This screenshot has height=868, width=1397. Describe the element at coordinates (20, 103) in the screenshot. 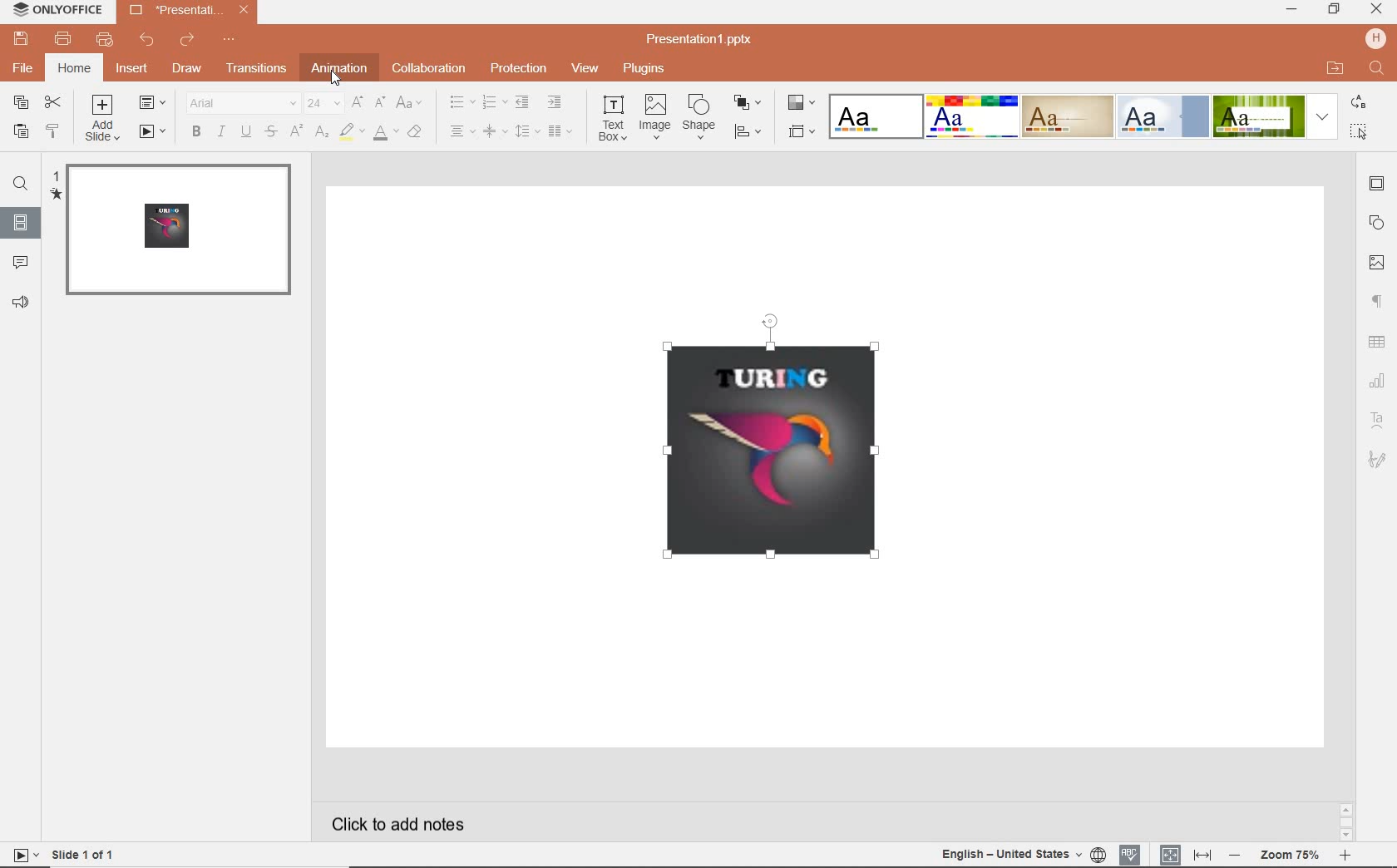

I see `copy` at that location.